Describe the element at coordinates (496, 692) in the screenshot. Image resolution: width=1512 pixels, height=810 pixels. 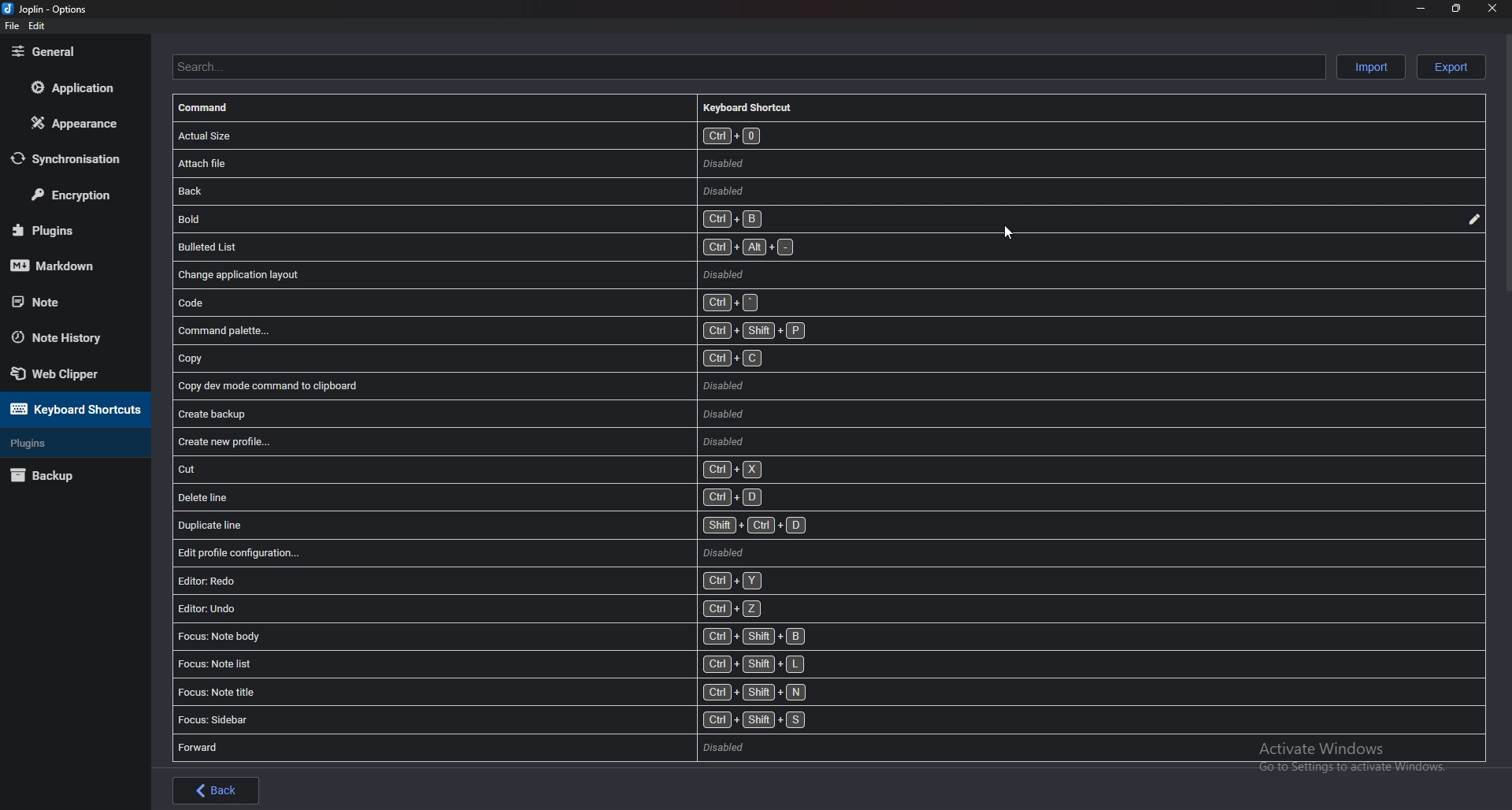
I see `Focus note title` at that location.